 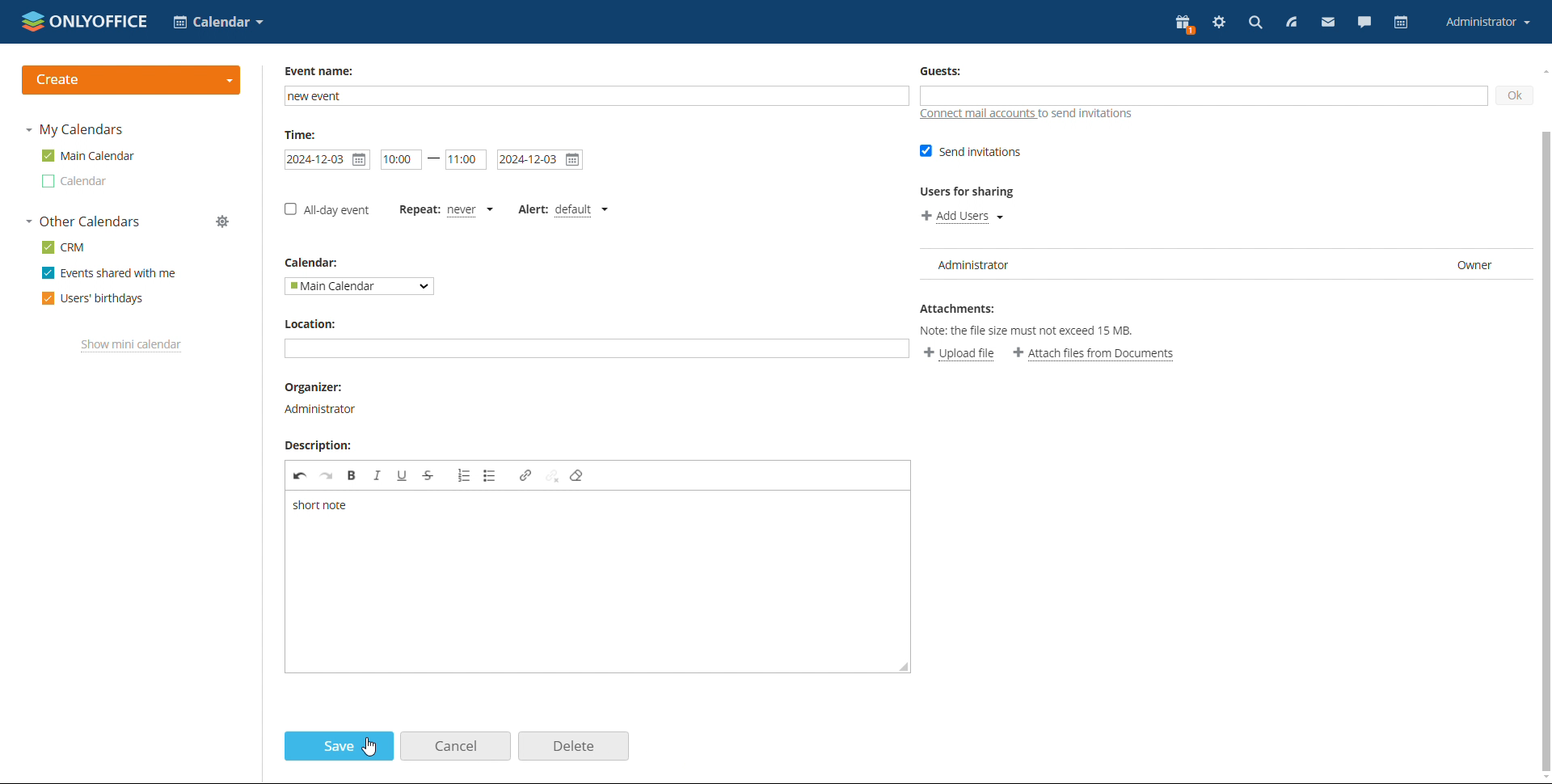 I want to click on end time, so click(x=466, y=159).